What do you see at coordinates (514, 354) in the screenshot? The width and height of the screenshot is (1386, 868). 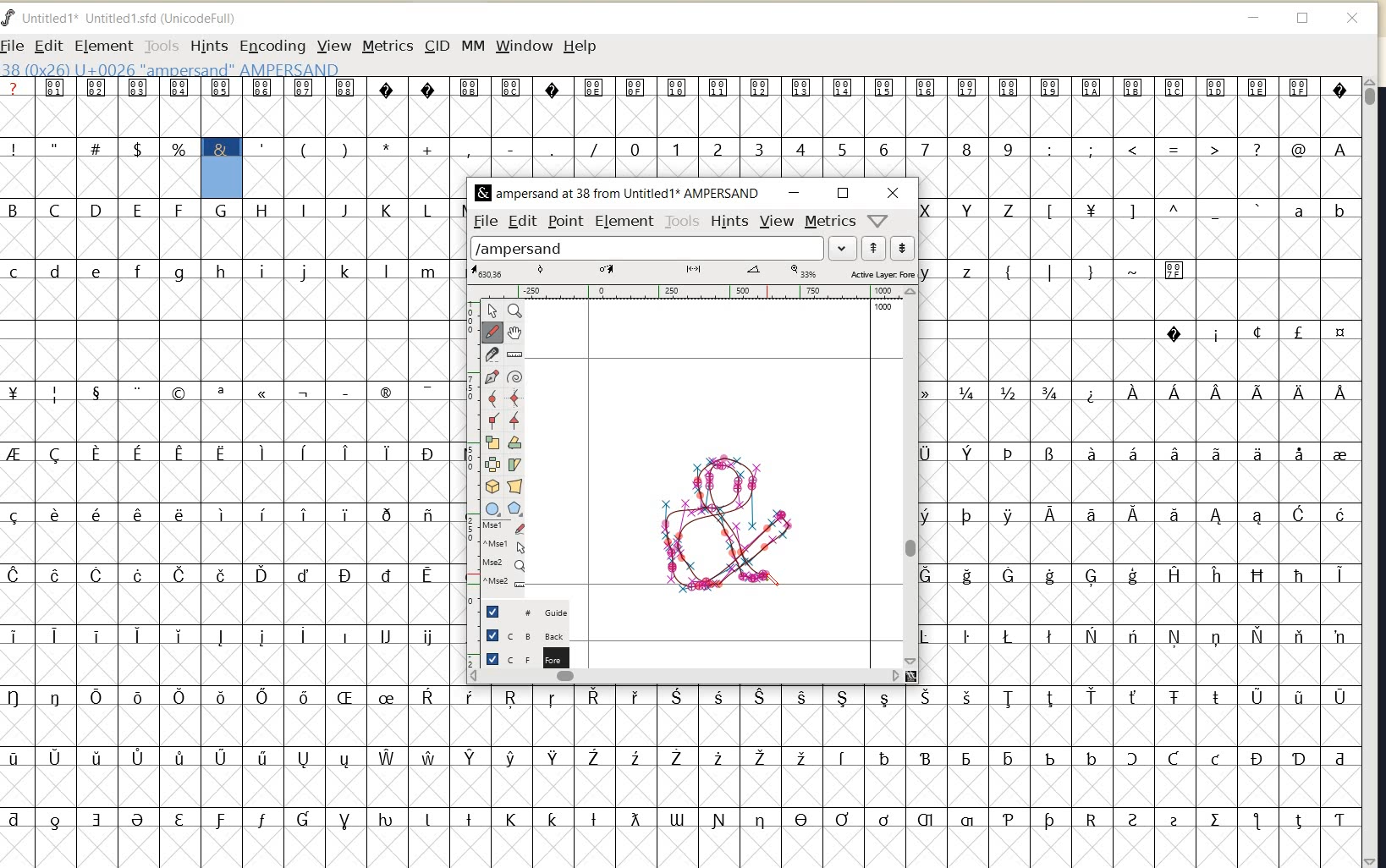 I see `measure distance, angle between points` at bounding box center [514, 354].